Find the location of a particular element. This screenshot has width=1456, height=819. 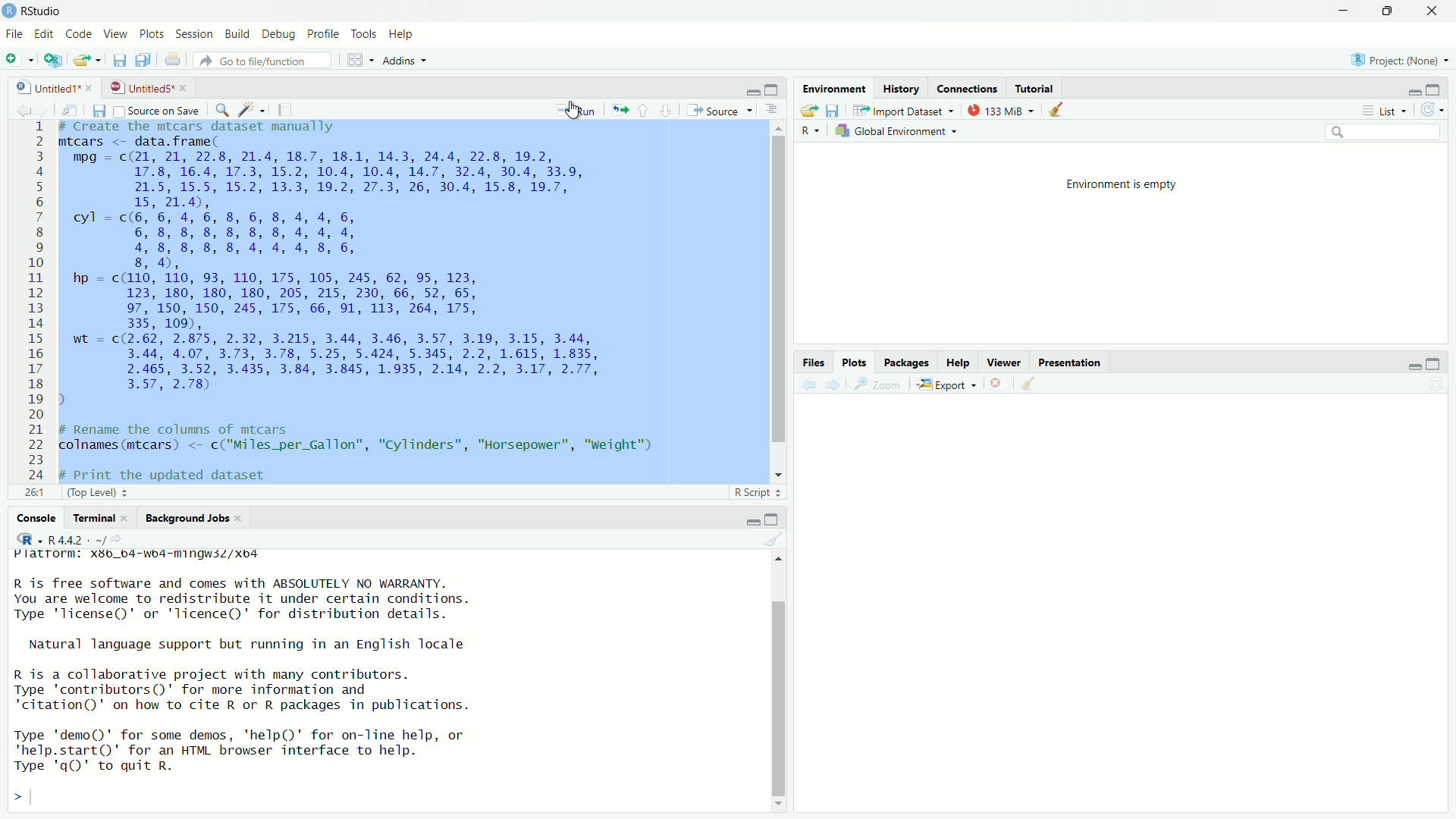

export is located at coordinates (805, 109).